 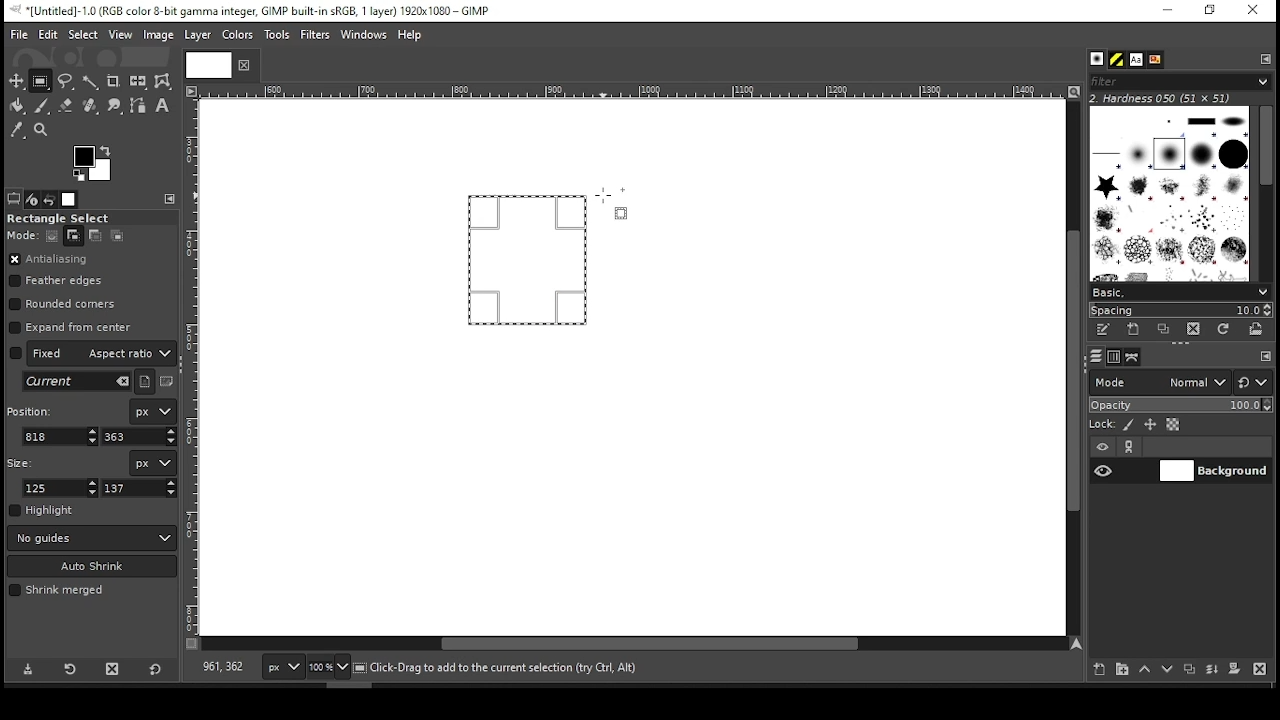 I want to click on eraser tool, so click(x=65, y=105).